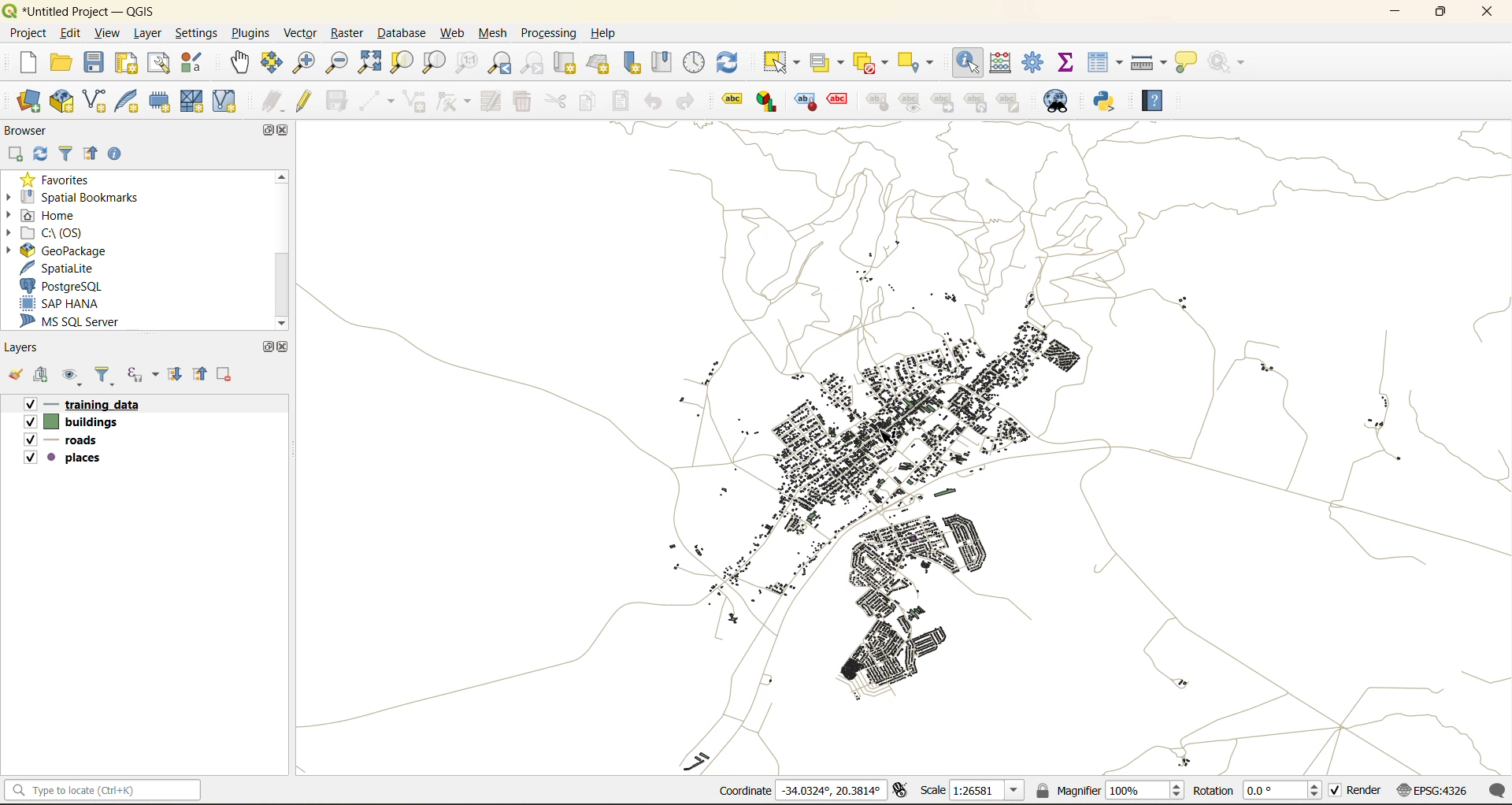 This screenshot has width=1512, height=805. What do you see at coordinates (177, 375) in the screenshot?
I see `expand all` at bounding box center [177, 375].